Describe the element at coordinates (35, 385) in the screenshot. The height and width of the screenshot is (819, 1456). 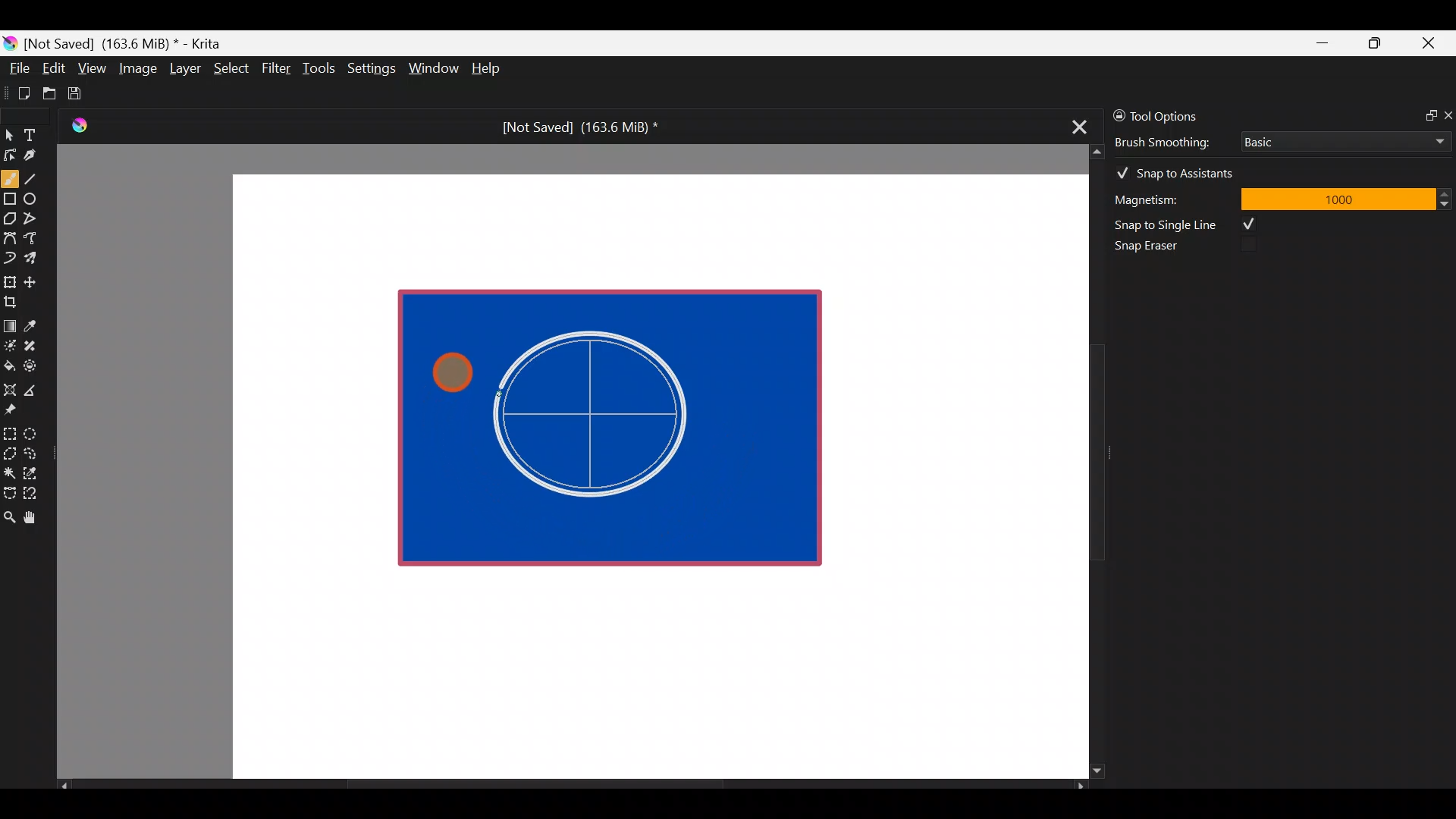
I see `Measure the distance between two points` at that location.